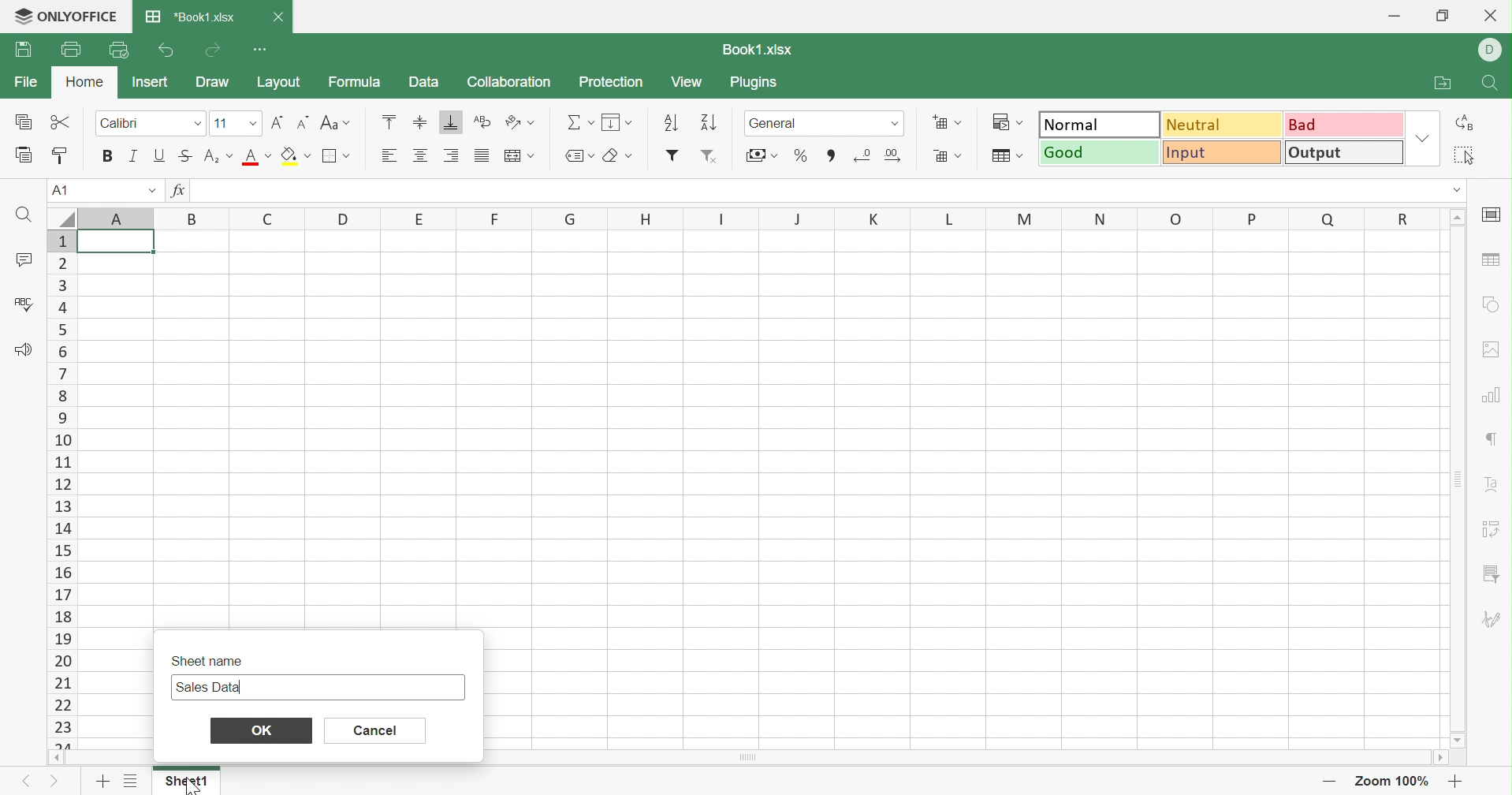 This screenshot has width=1512, height=795. I want to click on Conditional formatting, so click(1006, 121).